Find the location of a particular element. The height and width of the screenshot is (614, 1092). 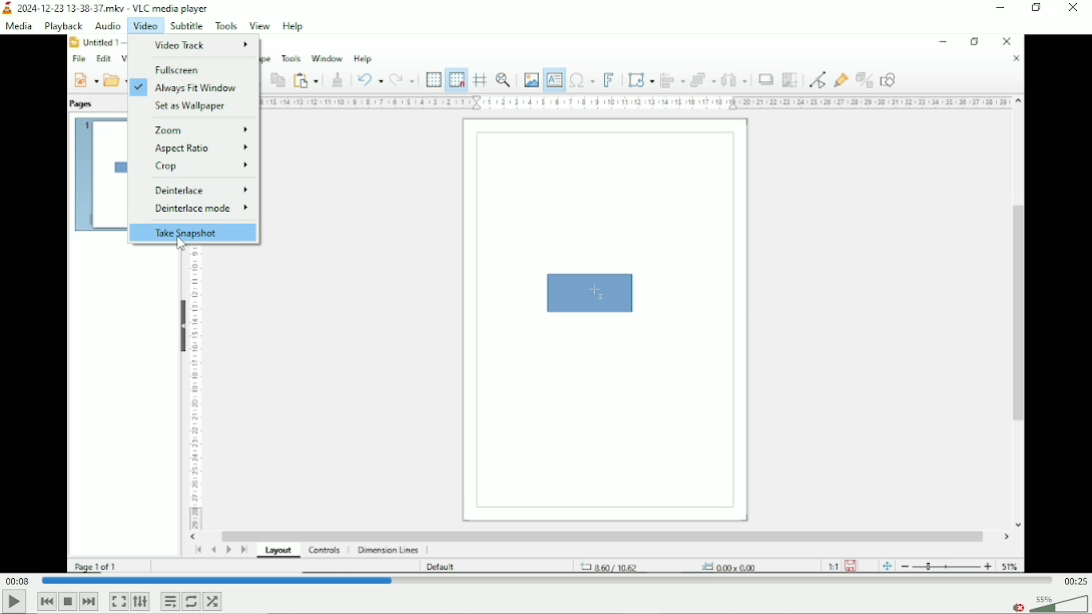

2024-12-23 13-38-37.mkv VLC media player is located at coordinates (109, 8).